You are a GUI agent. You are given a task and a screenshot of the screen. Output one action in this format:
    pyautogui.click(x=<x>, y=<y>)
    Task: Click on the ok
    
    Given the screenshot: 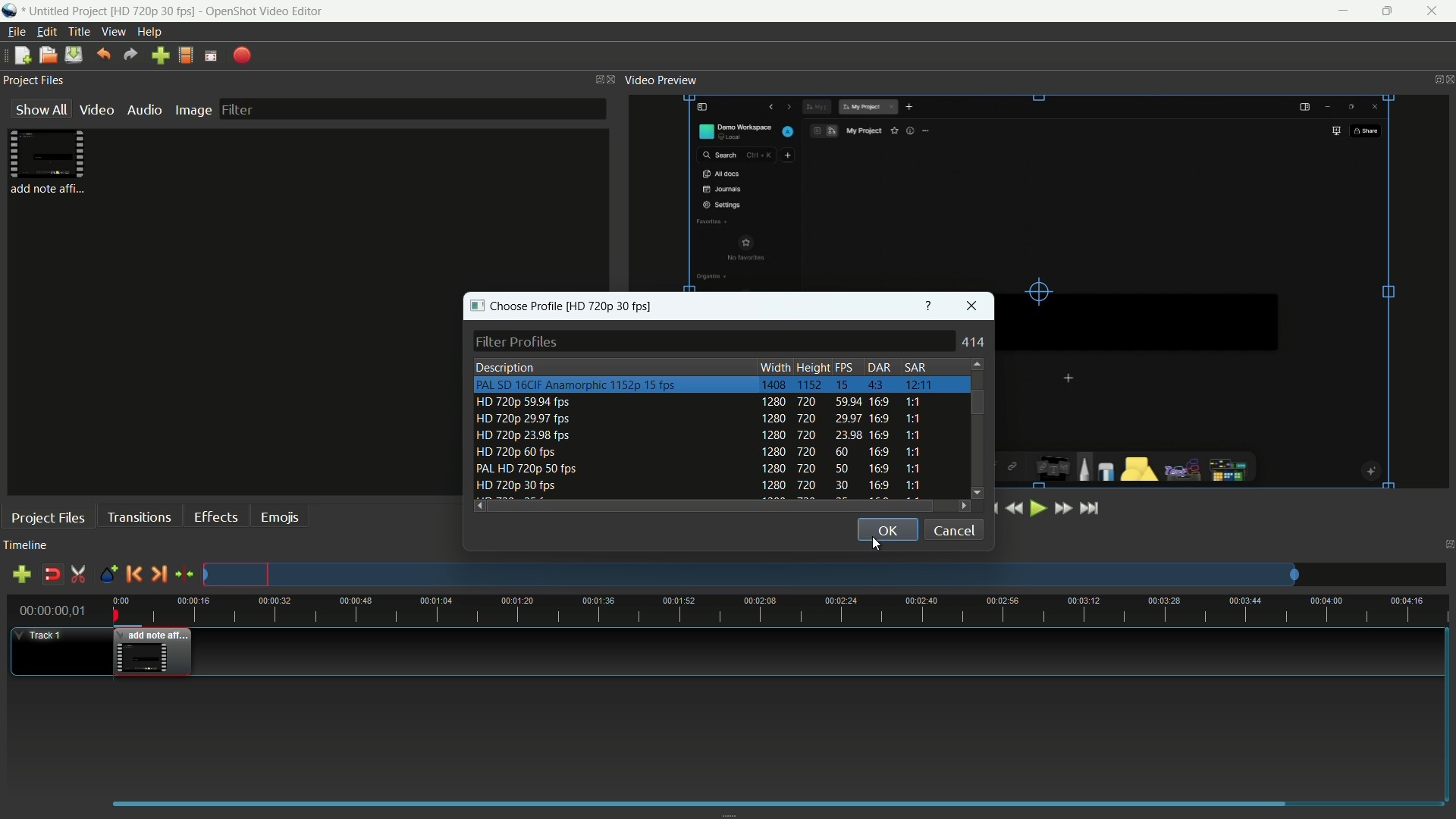 What is the action you would take?
    pyautogui.click(x=888, y=529)
    